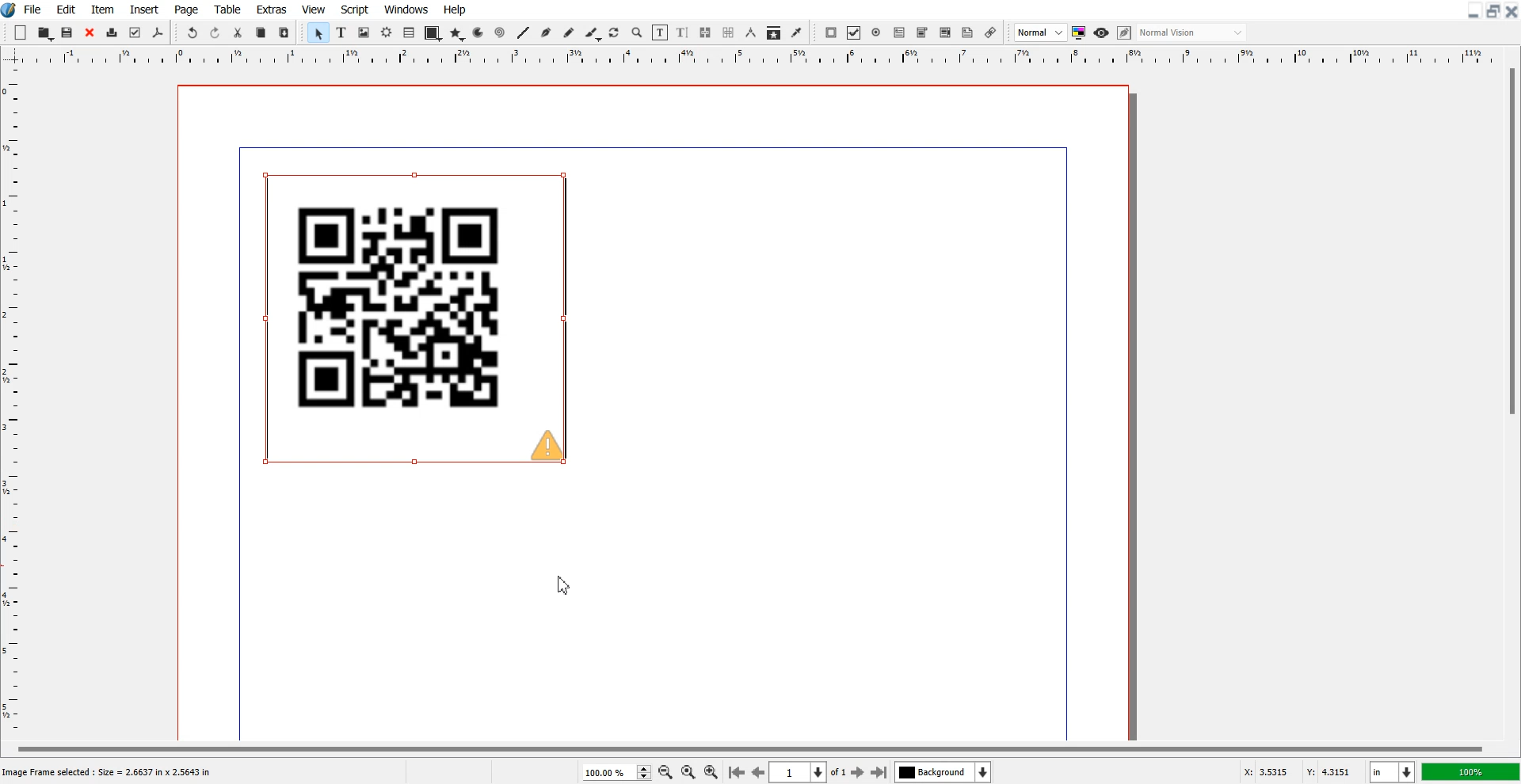 The image size is (1521, 784). Describe the element at coordinates (524, 32) in the screenshot. I see `Line` at that location.